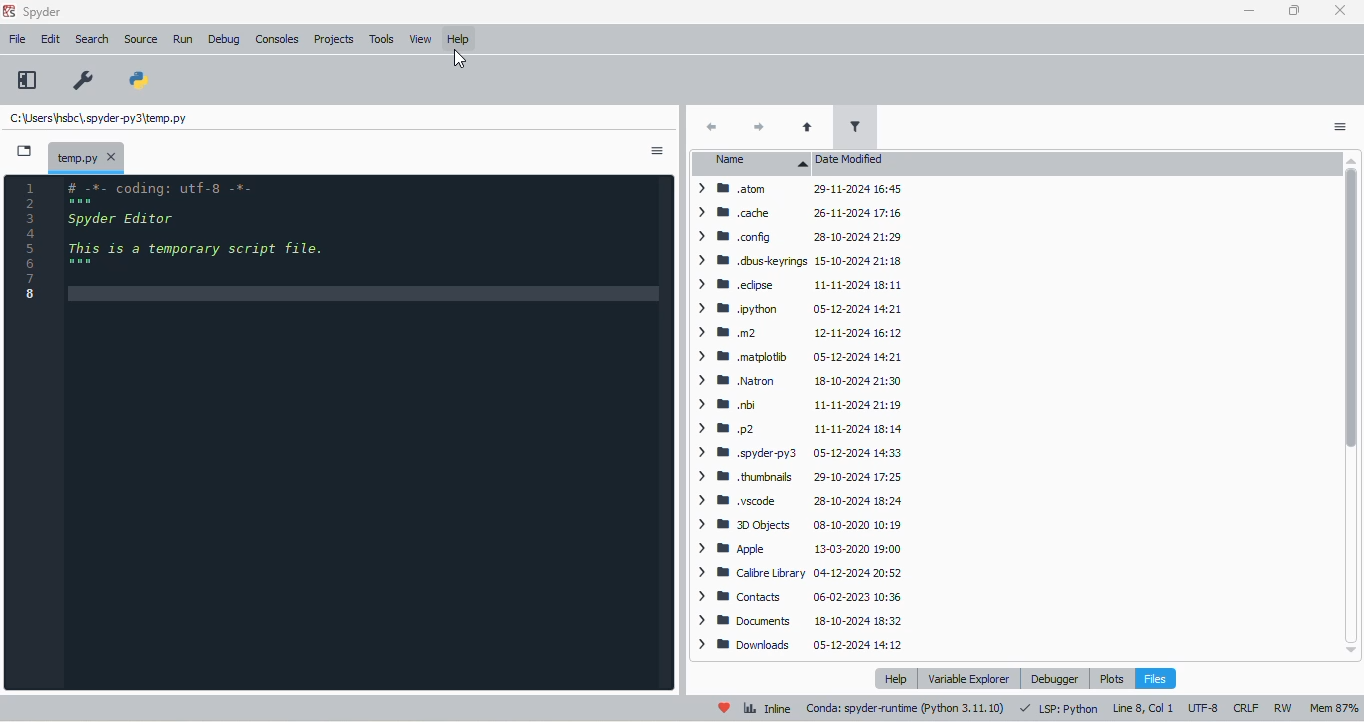  I want to click on tools, so click(383, 39).